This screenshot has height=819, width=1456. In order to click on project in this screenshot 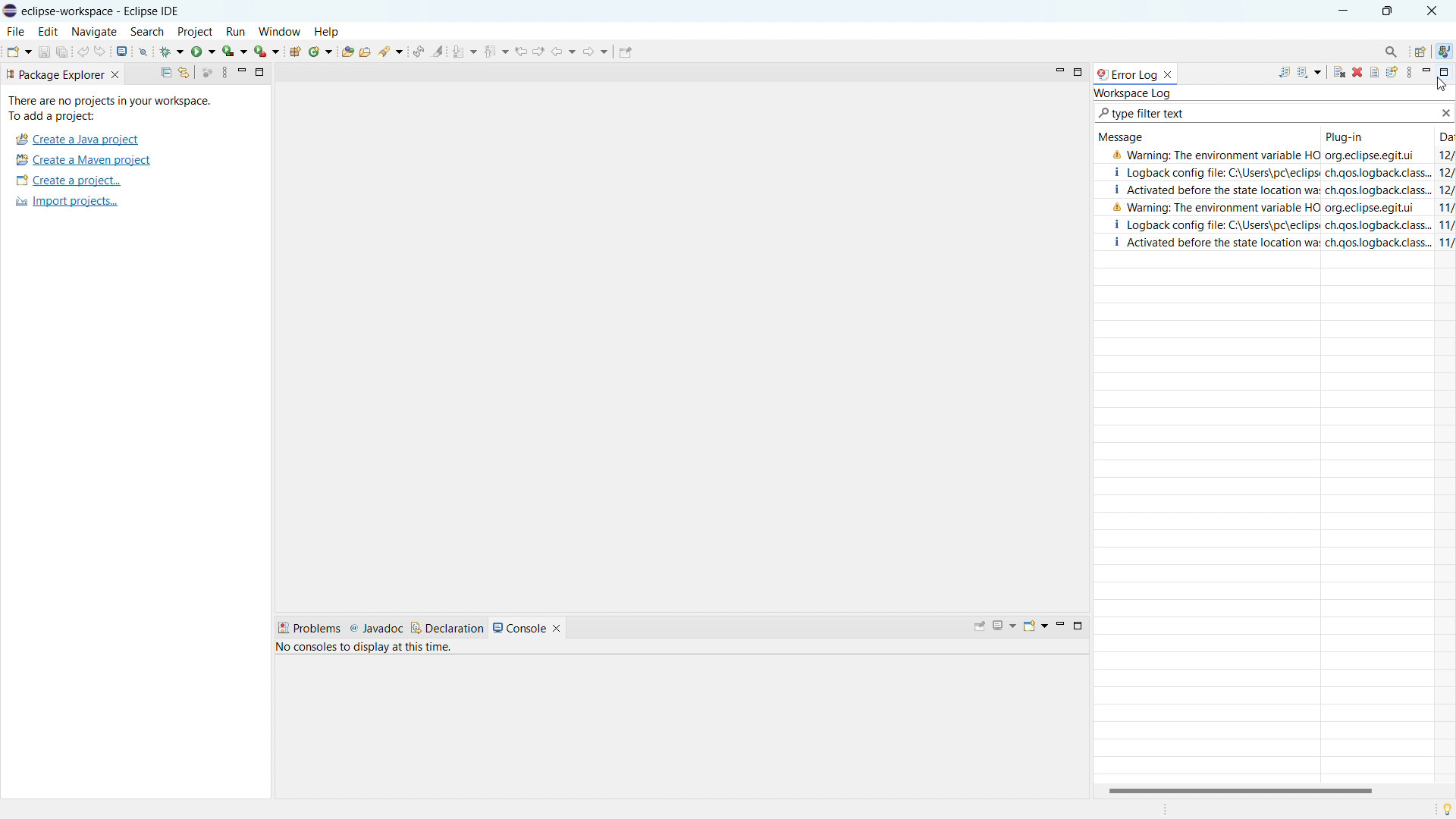, I will do `click(198, 30)`.